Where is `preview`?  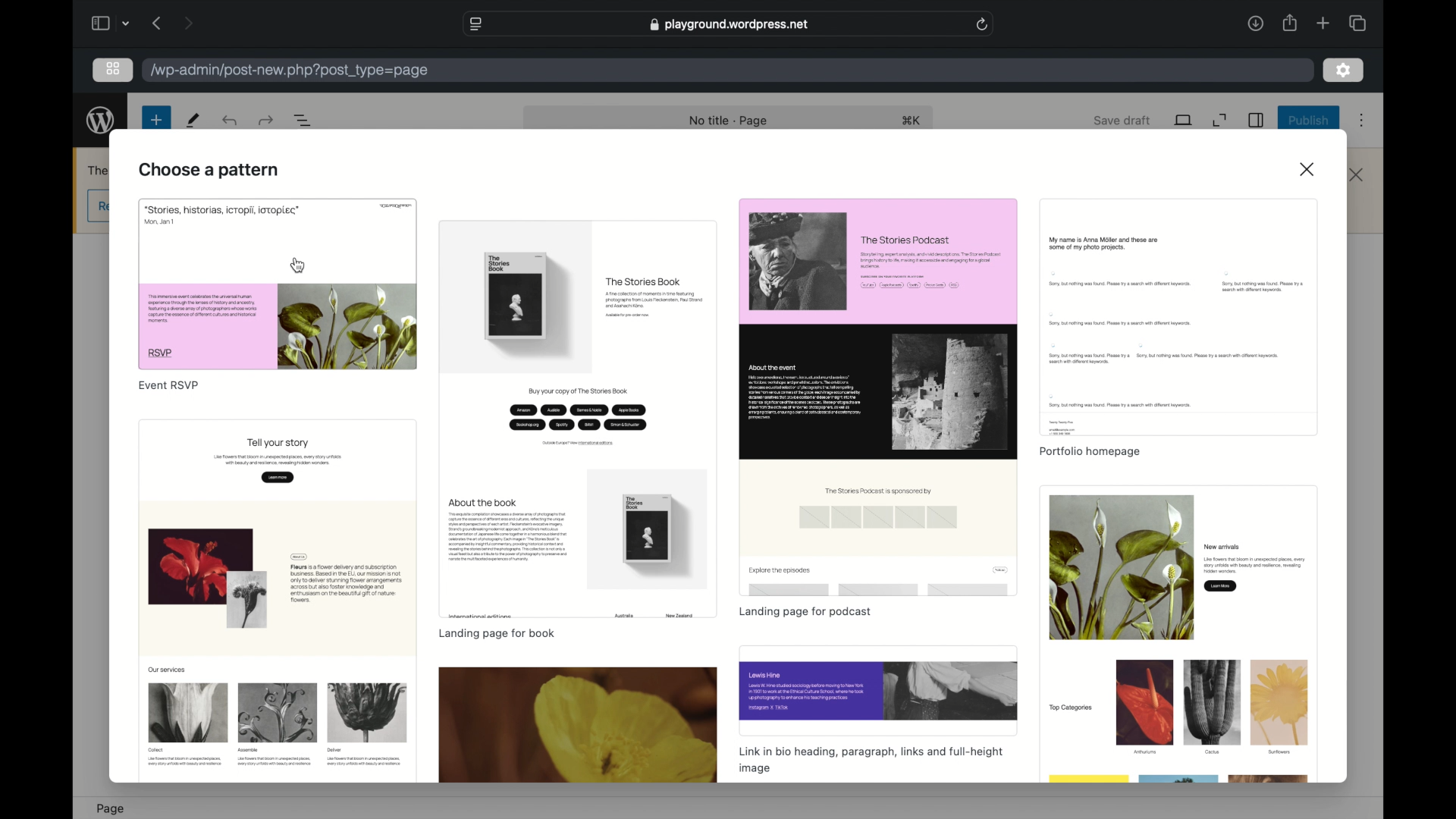 preview is located at coordinates (578, 421).